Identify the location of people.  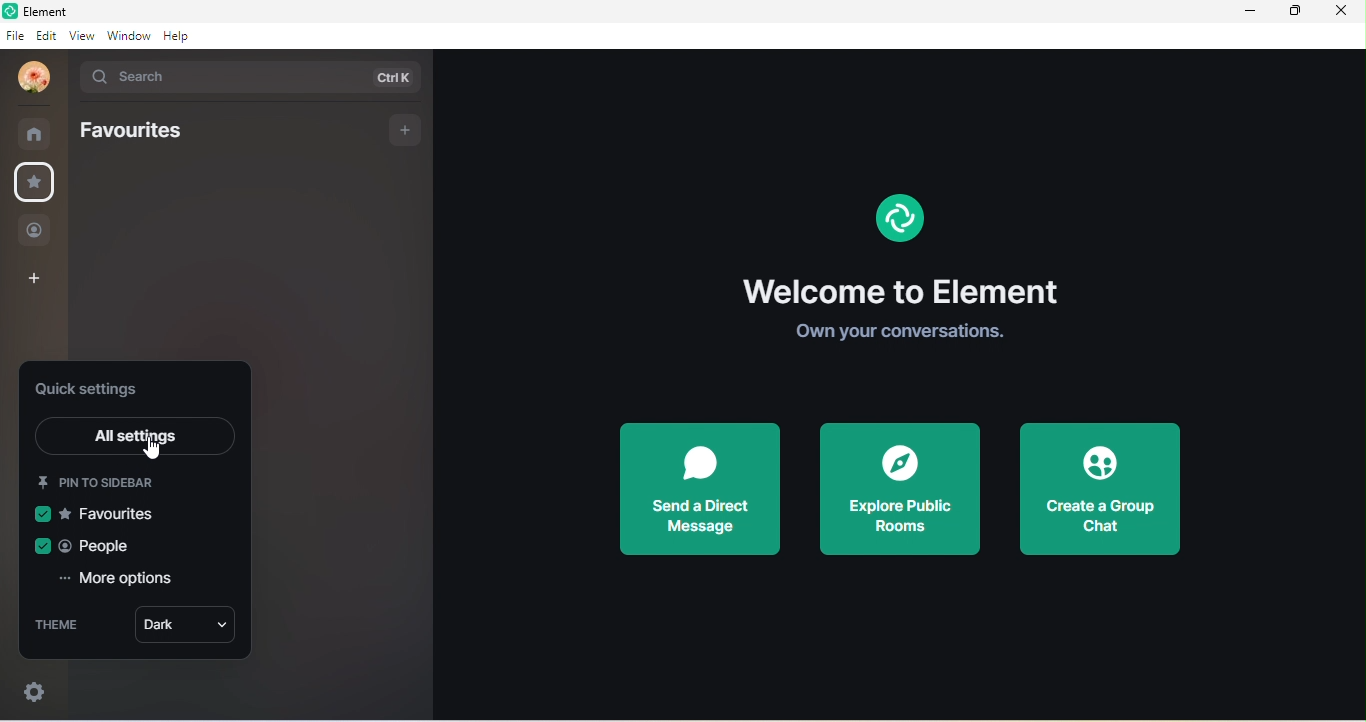
(37, 230).